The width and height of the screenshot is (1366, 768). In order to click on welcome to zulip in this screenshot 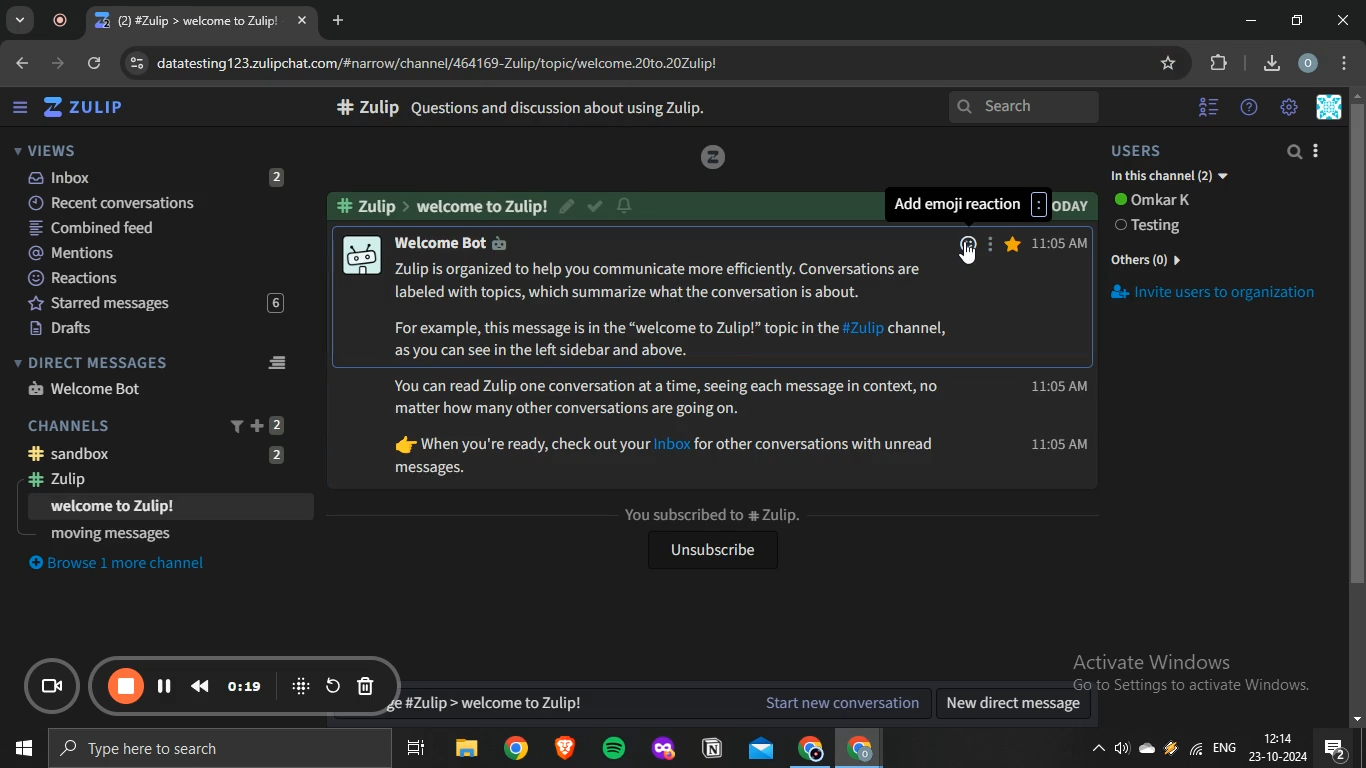, I will do `click(115, 507)`.